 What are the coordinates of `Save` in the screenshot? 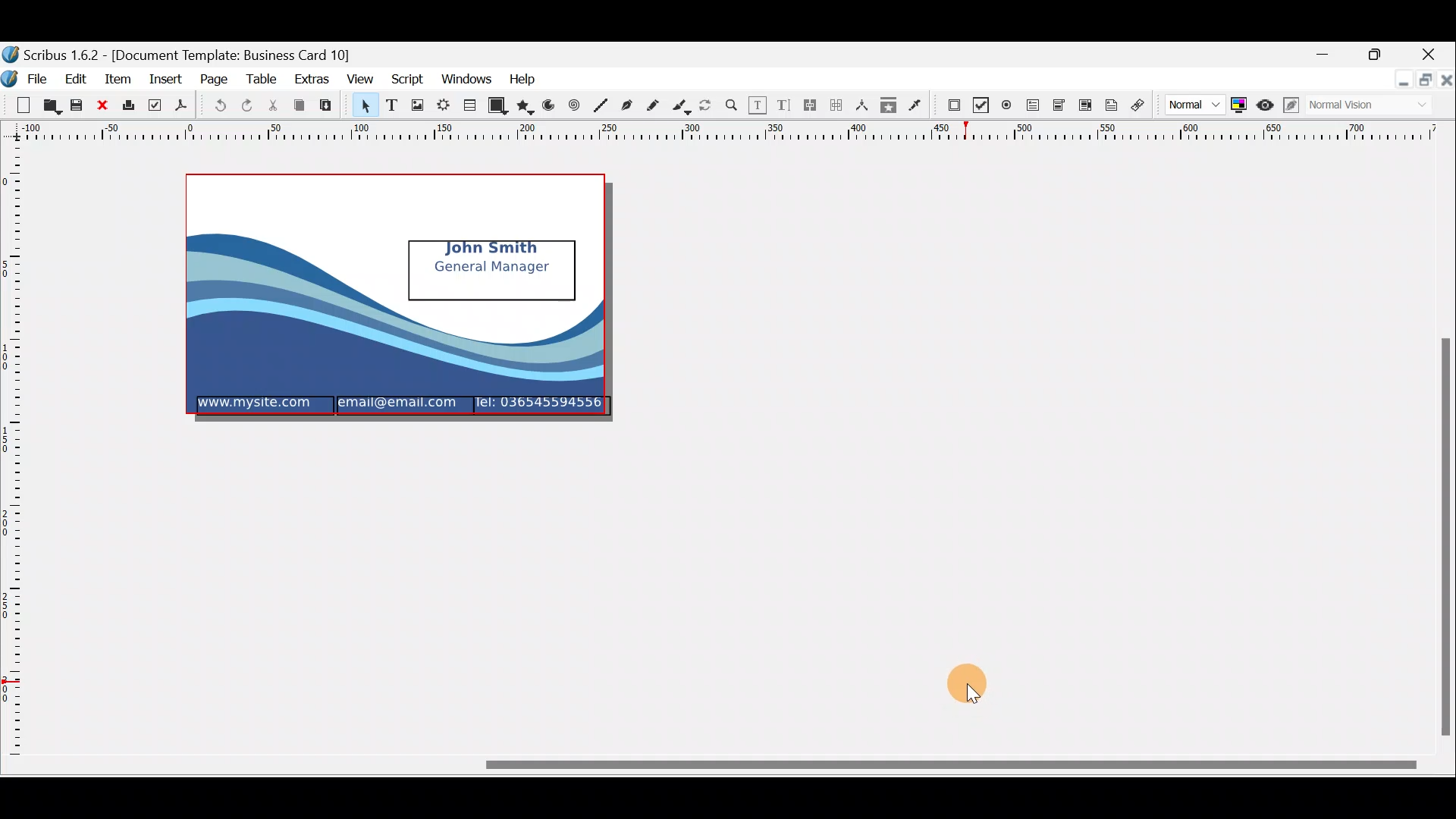 It's located at (75, 105).